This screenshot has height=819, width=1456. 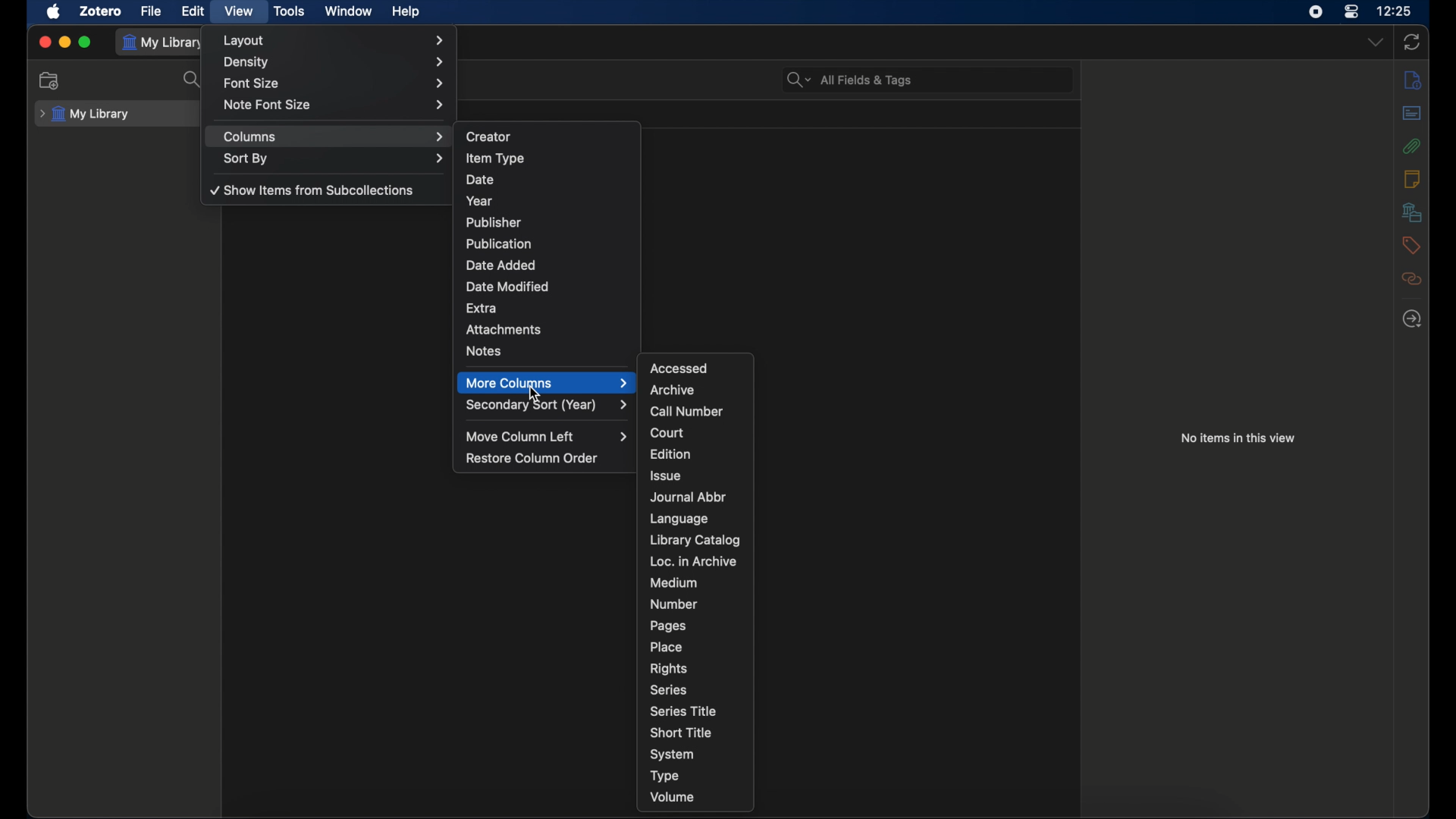 I want to click on year, so click(x=481, y=201).